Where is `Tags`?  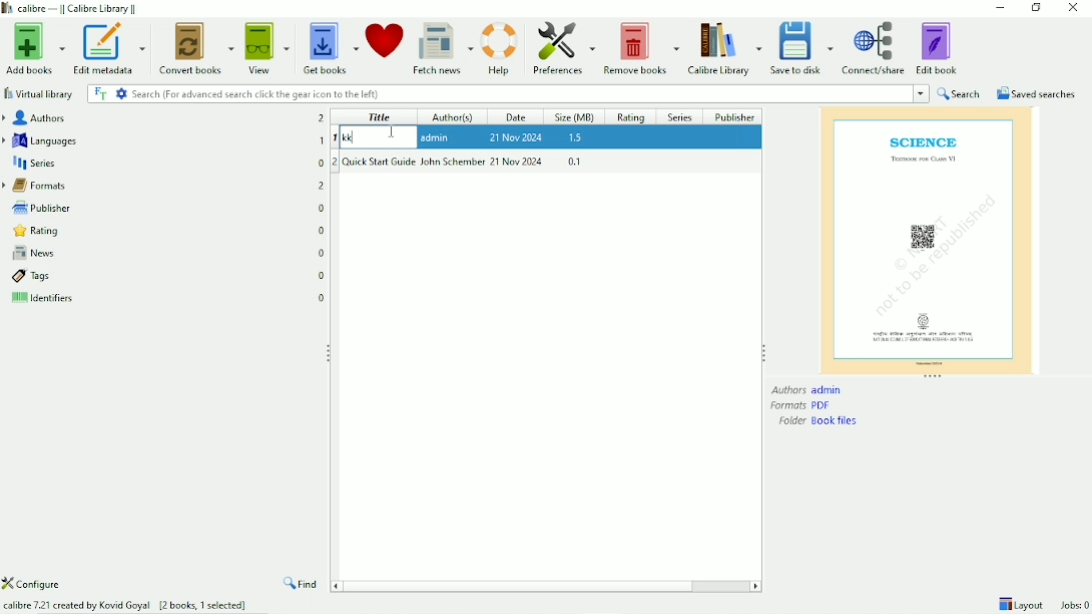 Tags is located at coordinates (28, 277).